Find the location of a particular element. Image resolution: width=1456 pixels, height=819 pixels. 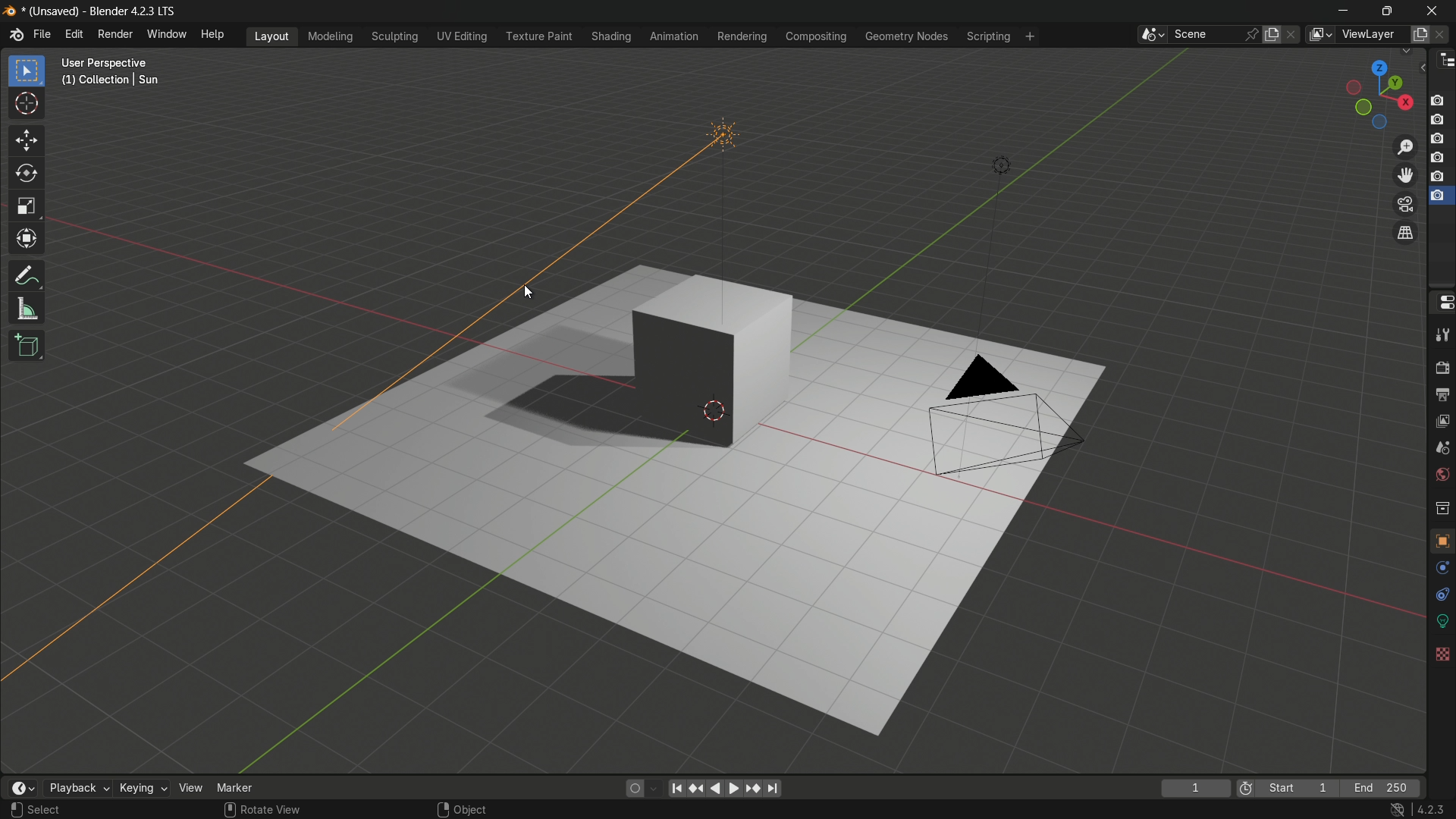

tools is located at coordinates (1442, 335).